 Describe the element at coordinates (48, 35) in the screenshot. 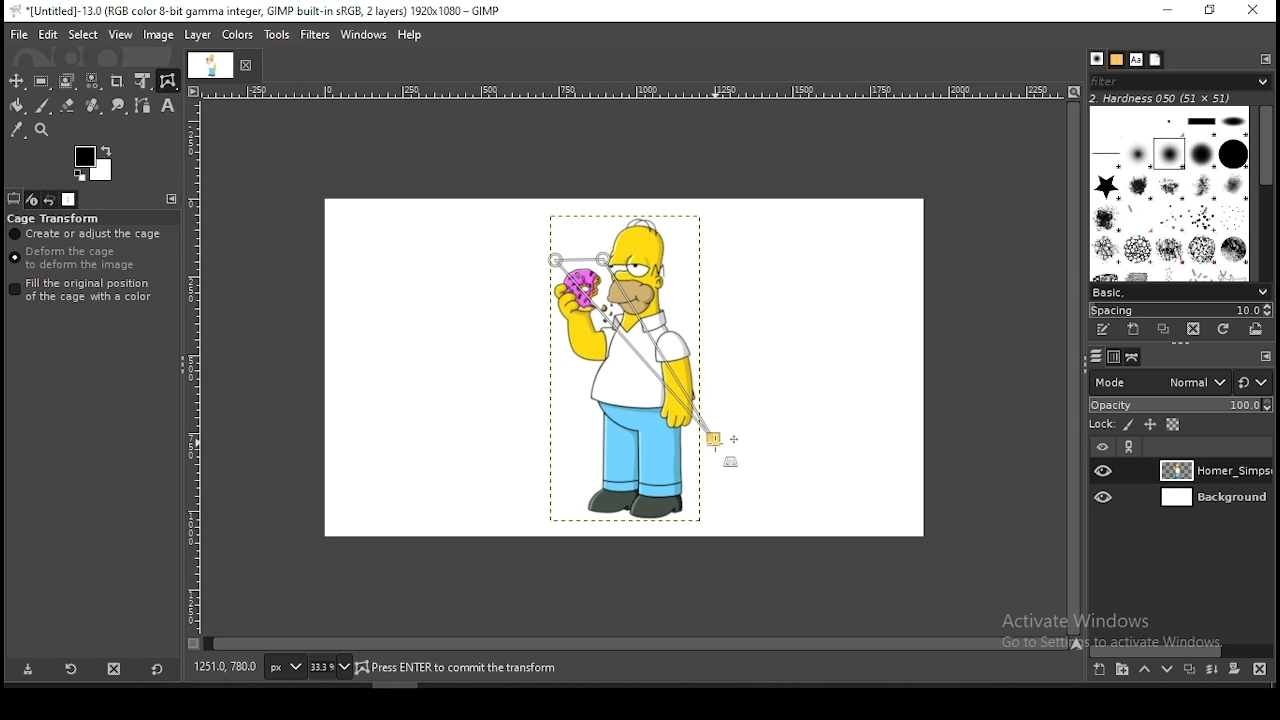

I see `edit` at that location.